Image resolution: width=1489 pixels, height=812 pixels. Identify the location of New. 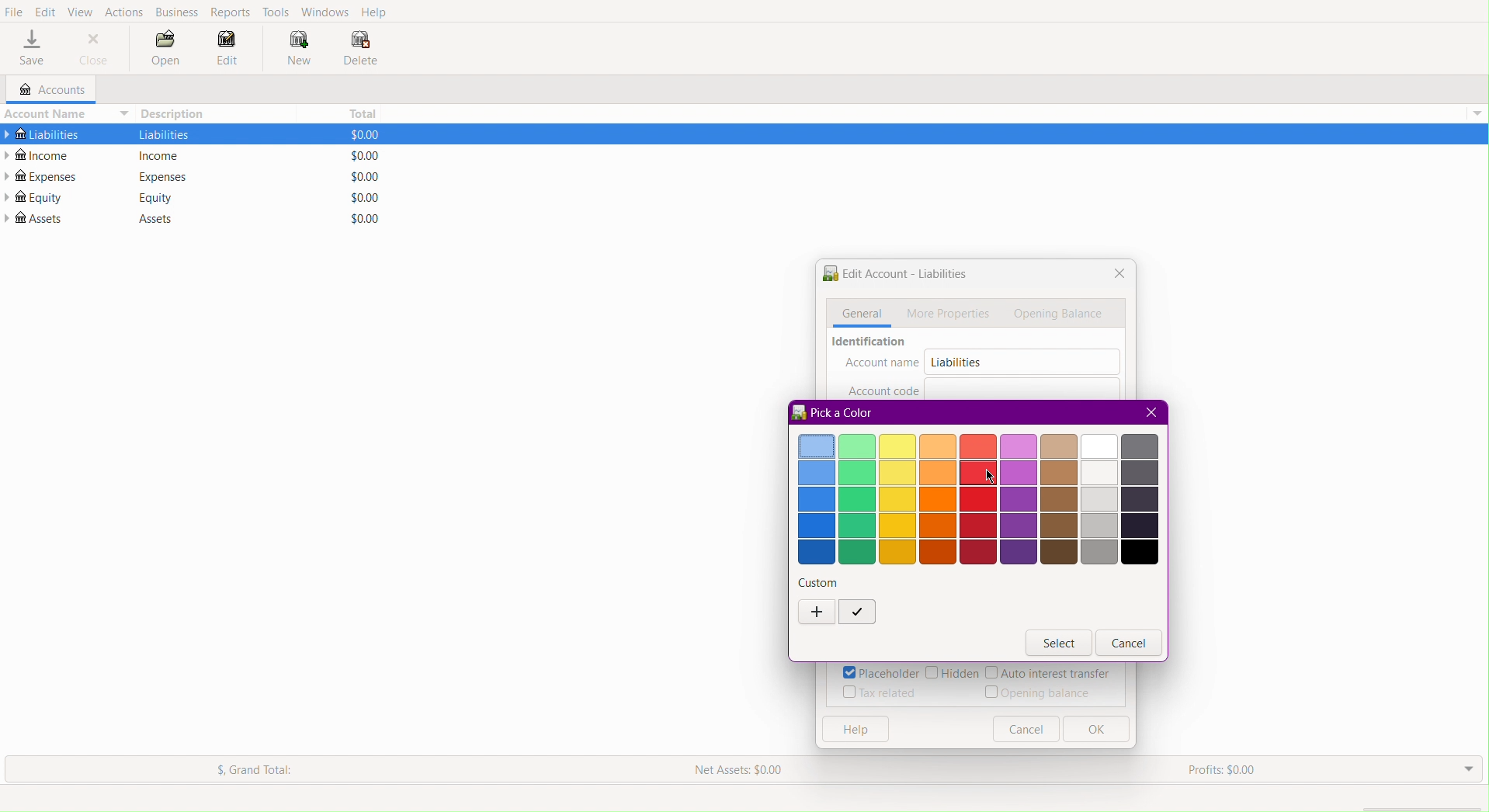
(292, 48).